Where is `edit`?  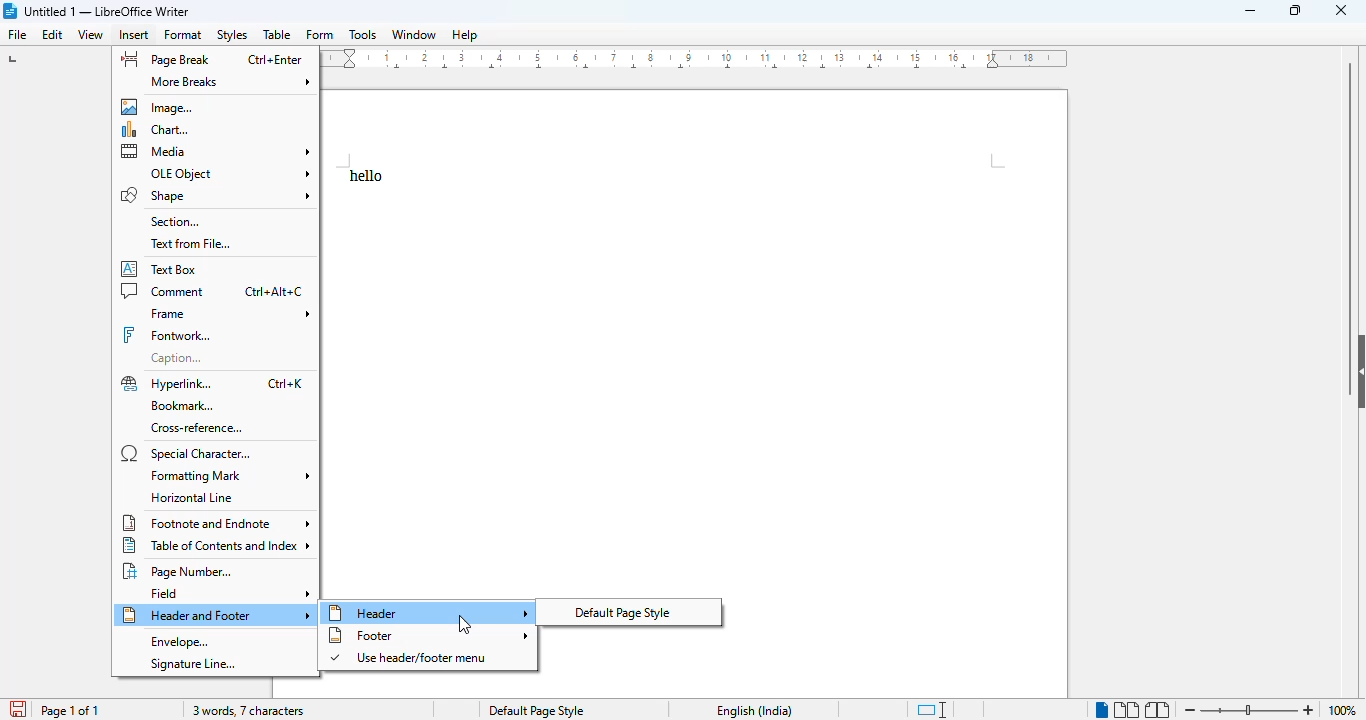
edit is located at coordinates (53, 34).